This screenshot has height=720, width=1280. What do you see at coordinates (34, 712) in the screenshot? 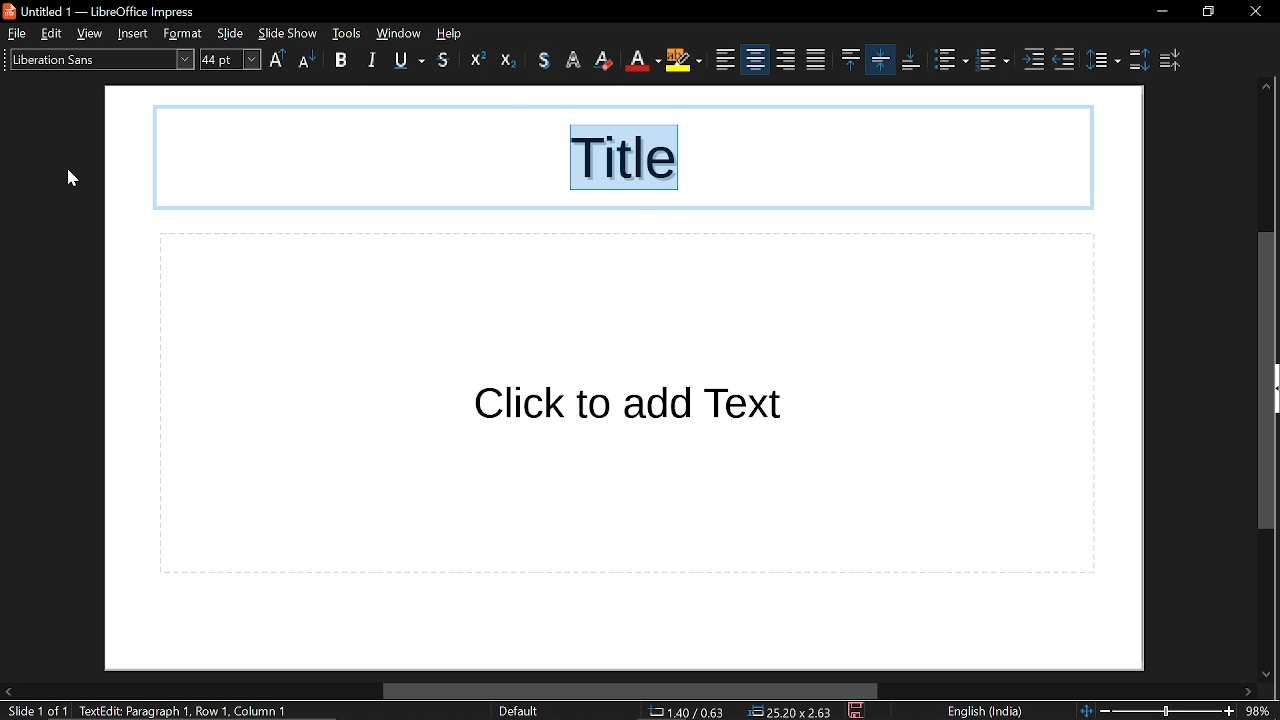
I see `slide 1 of 1` at bounding box center [34, 712].